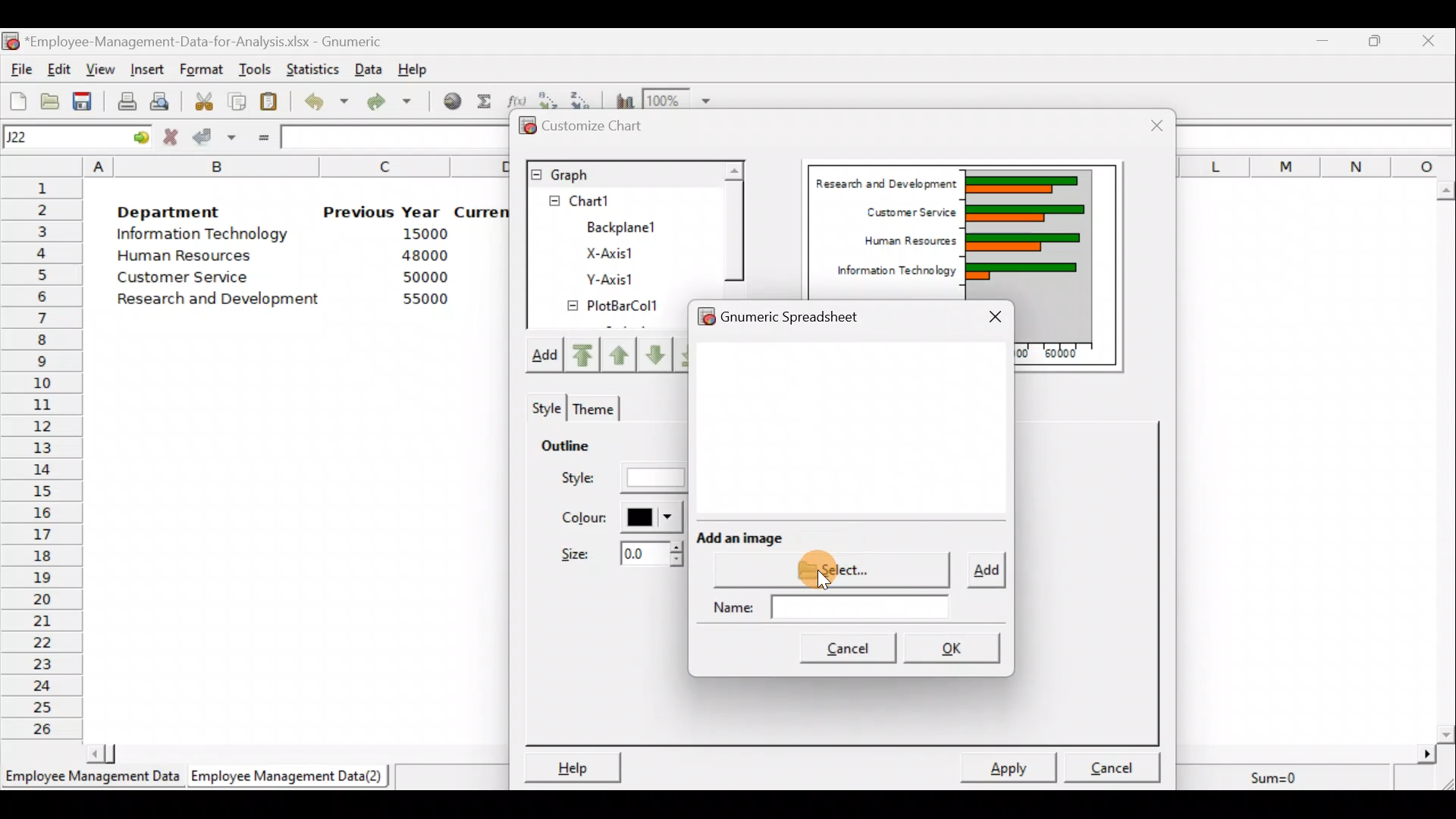 This screenshot has height=819, width=1456. Describe the element at coordinates (219, 42) in the screenshot. I see `‘Employee-Management-Data-for-Analysis.xlsx - Gnumeric` at that location.